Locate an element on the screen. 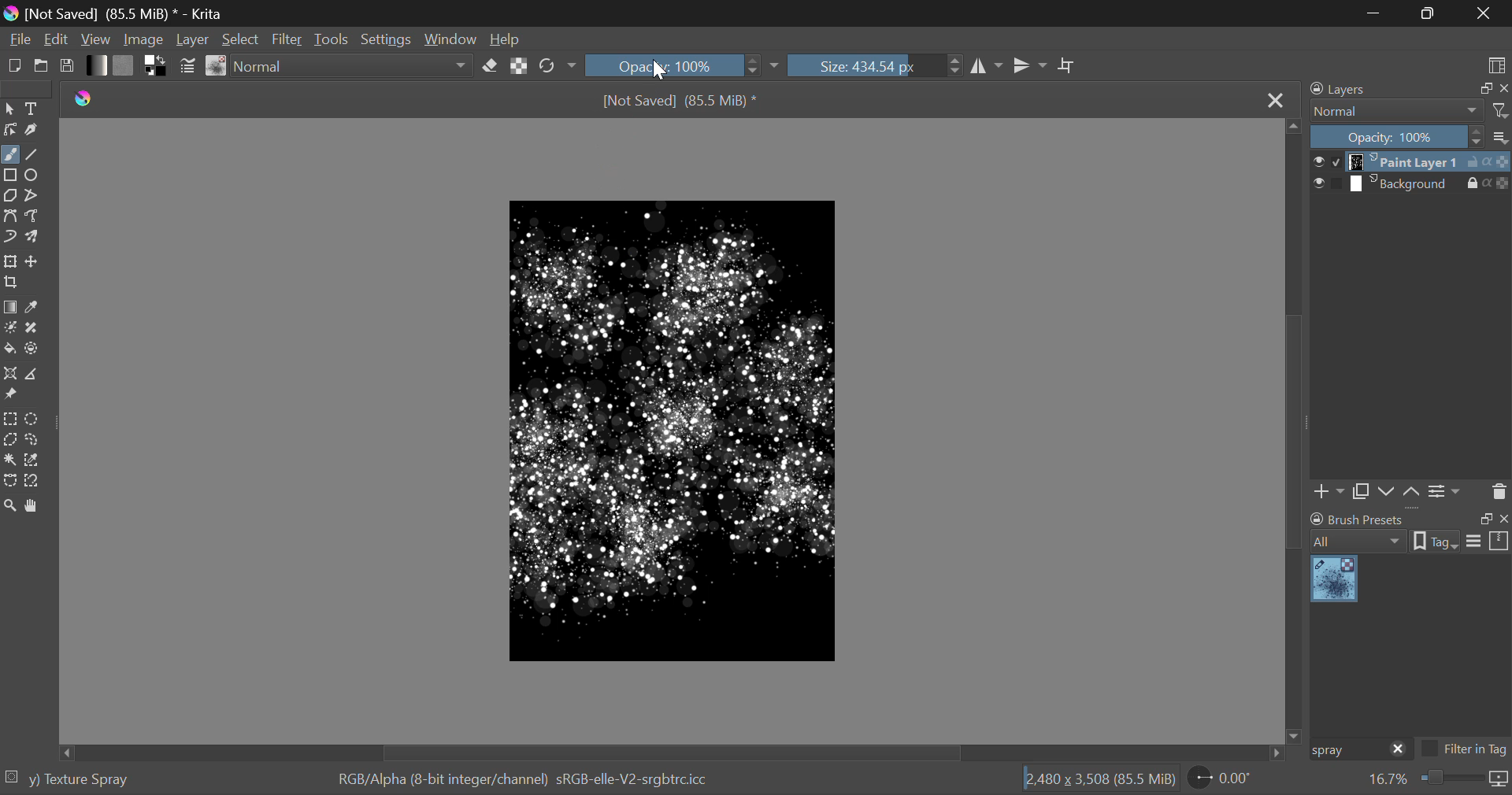 This screenshot has height=795, width=1512. Move Layer is located at coordinates (32, 261).